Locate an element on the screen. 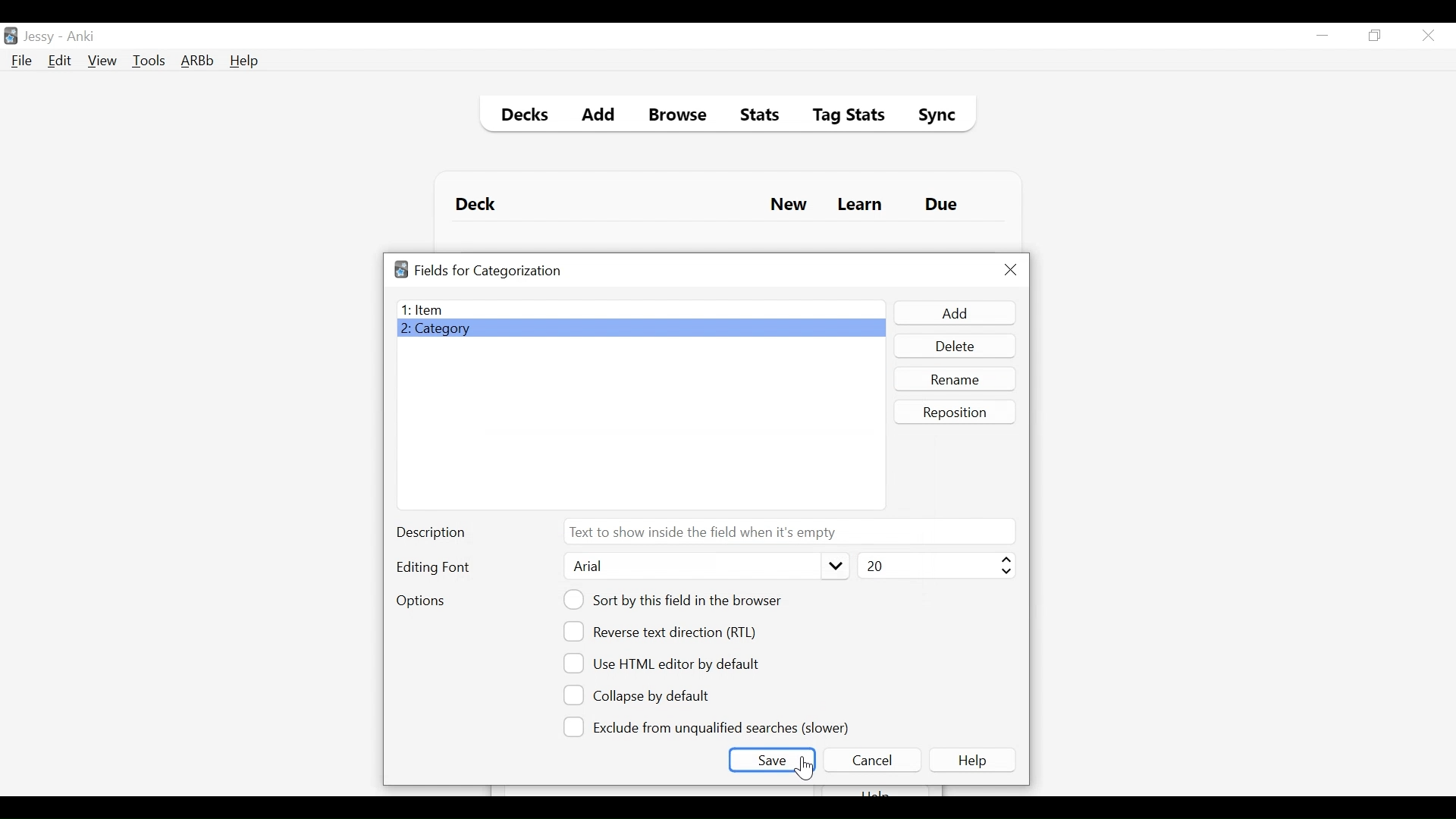 The width and height of the screenshot is (1456, 819). Advanced Review Button bar is located at coordinates (198, 61).